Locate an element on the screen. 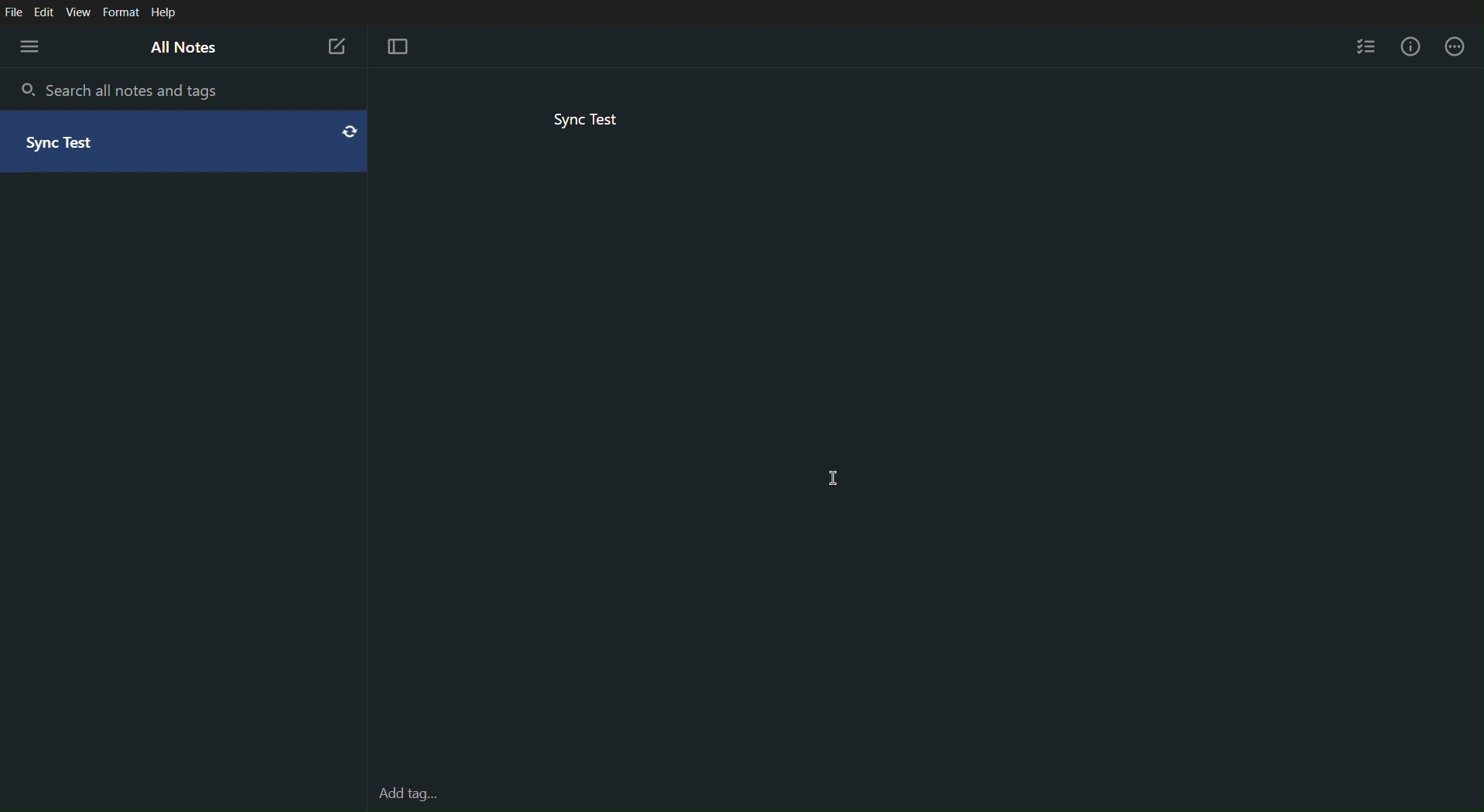 The image size is (1484, 812). All Notes is located at coordinates (183, 49).